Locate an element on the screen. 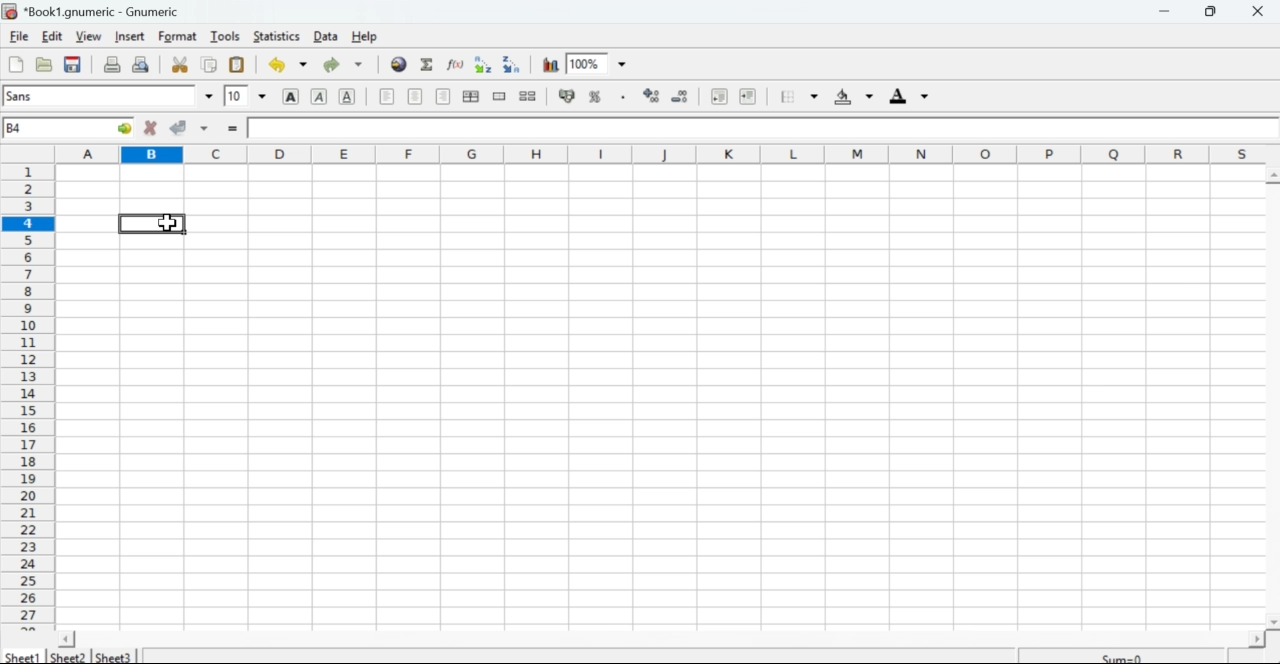 The image size is (1280, 664). File is located at coordinates (15, 66).